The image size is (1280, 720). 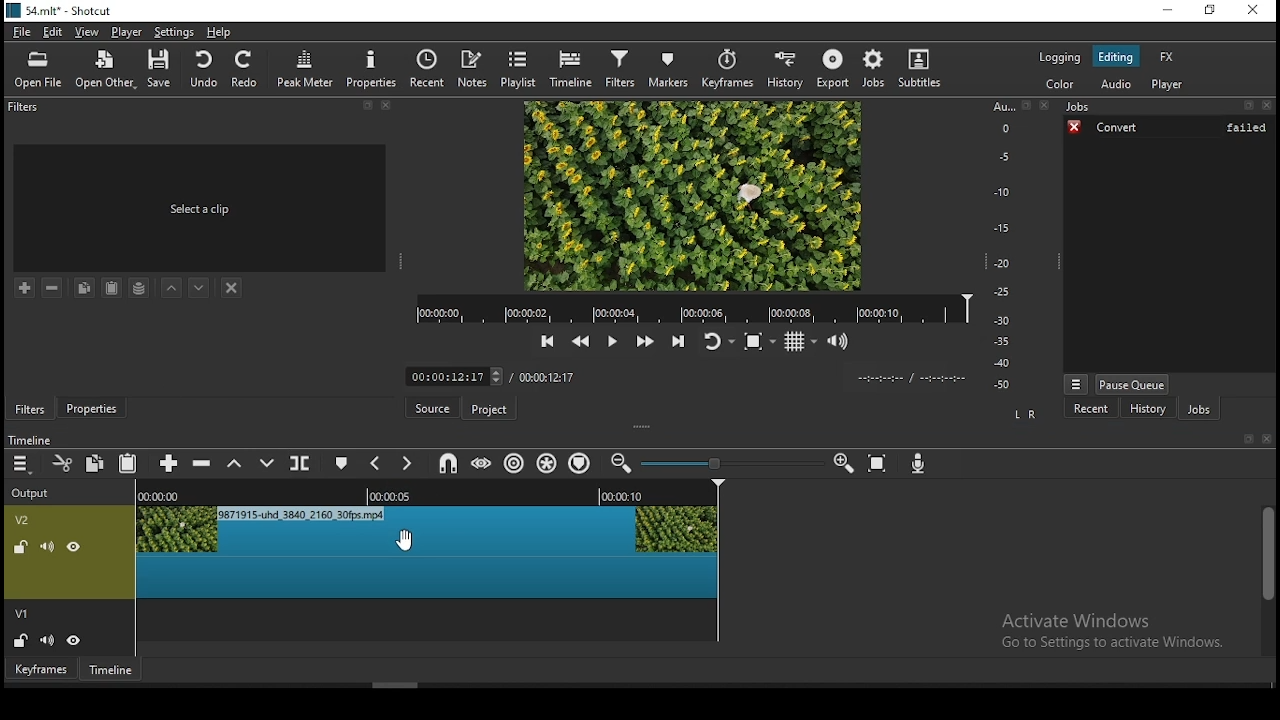 I want to click on restore, so click(x=1211, y=10).